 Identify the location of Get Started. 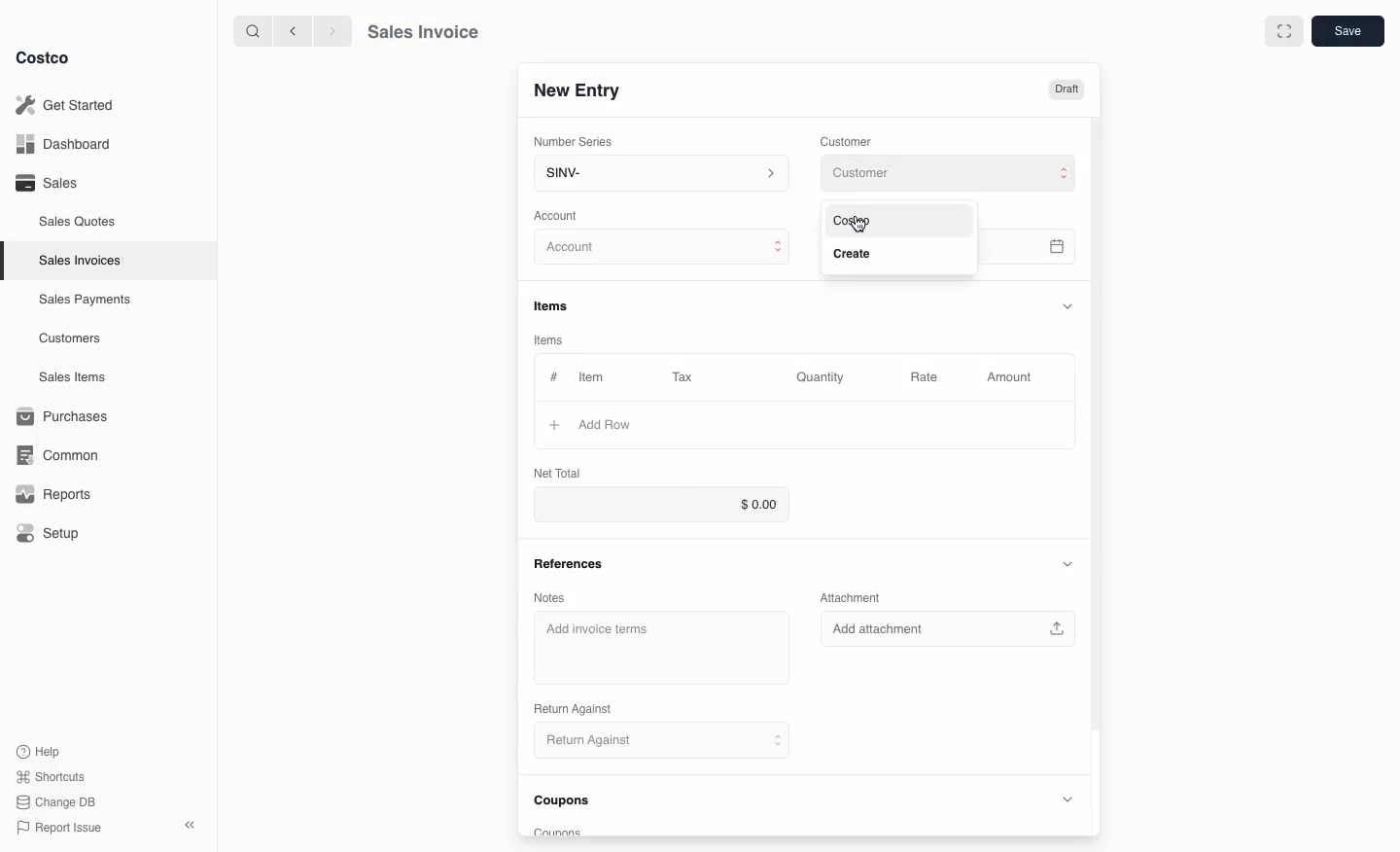
(68, 105).